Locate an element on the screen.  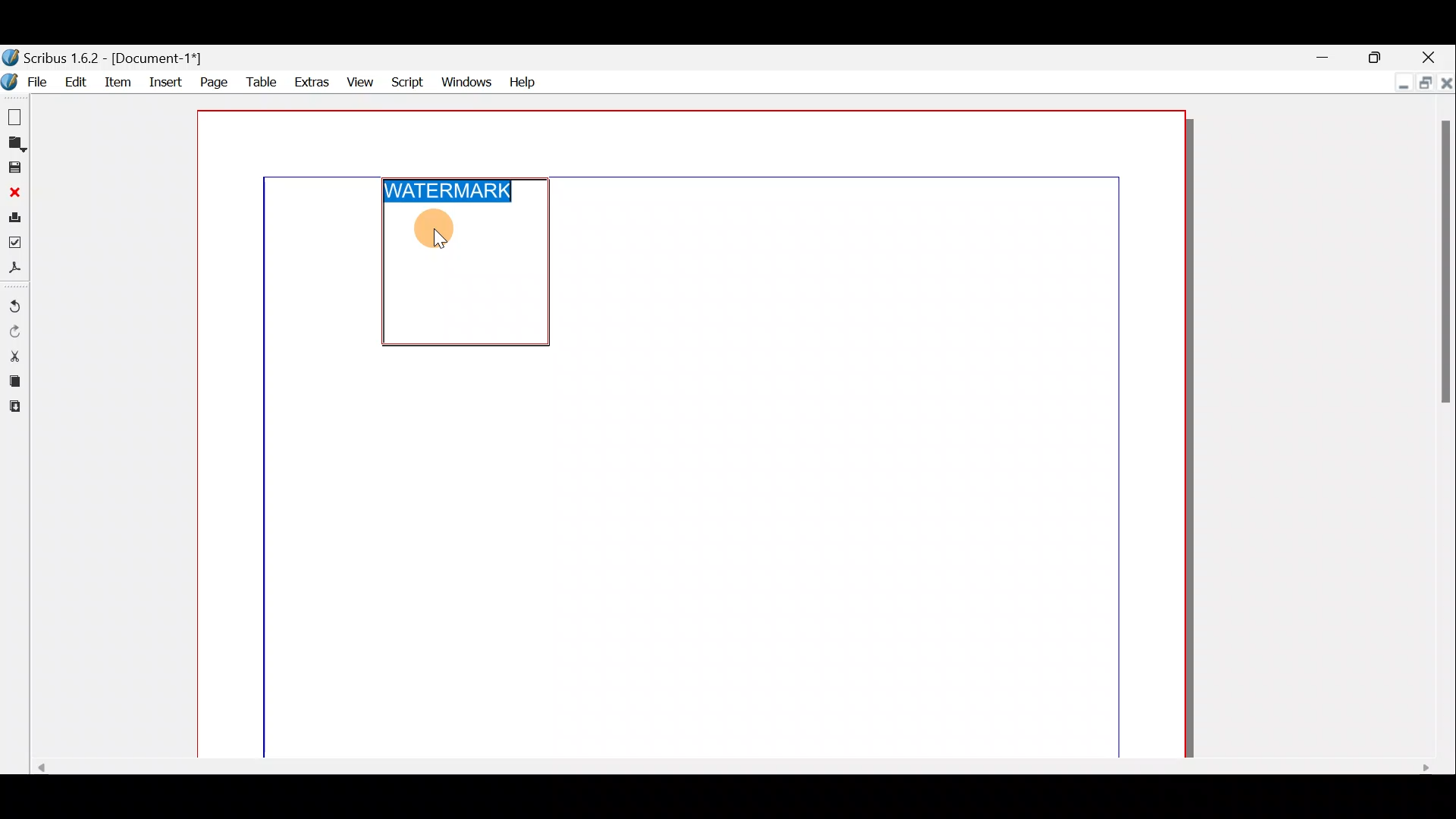
File is located at coordinates (28, 81).